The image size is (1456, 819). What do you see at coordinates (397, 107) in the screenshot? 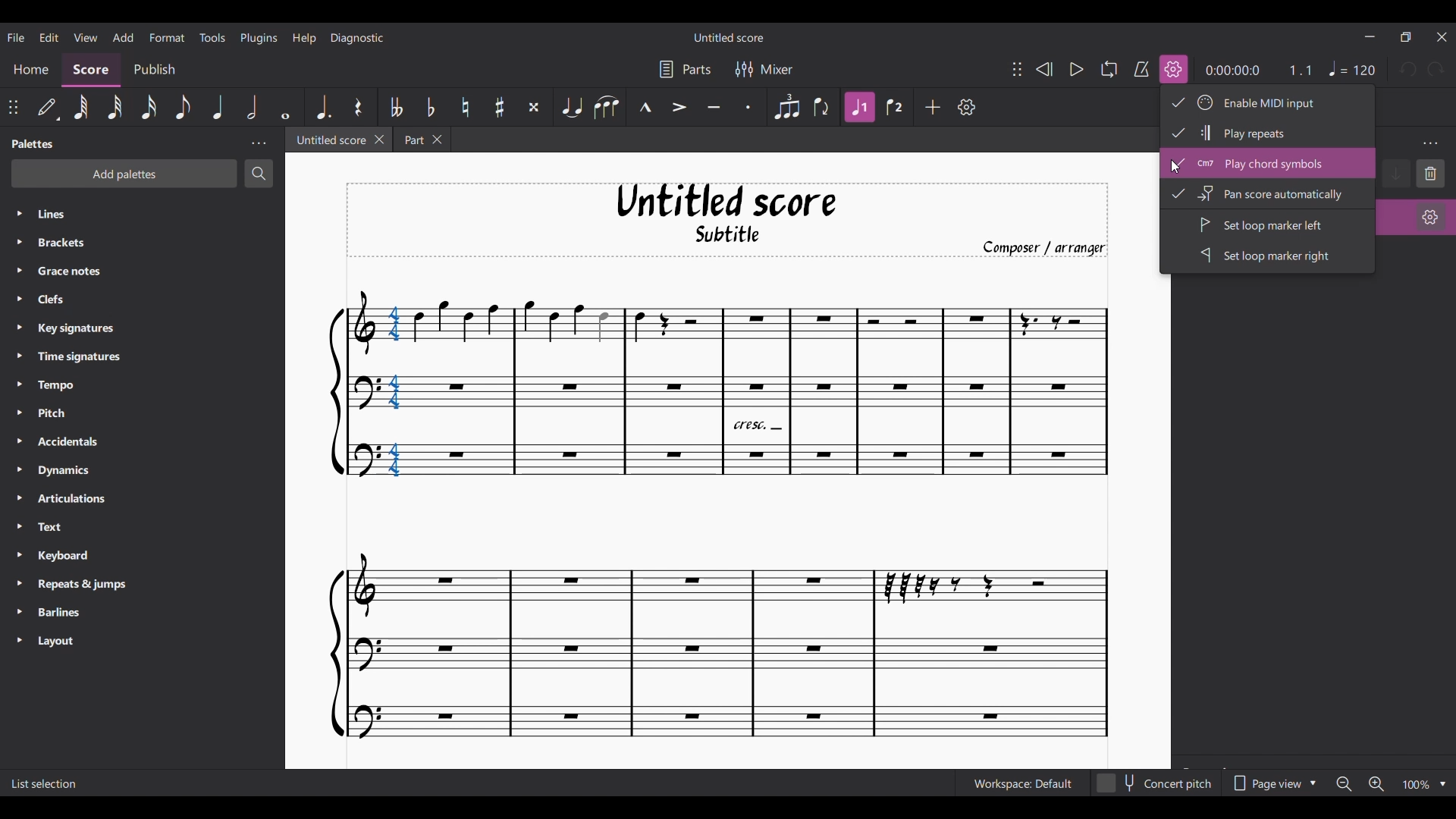
I see `Toggle double flat` at bounding box center [397, 107].